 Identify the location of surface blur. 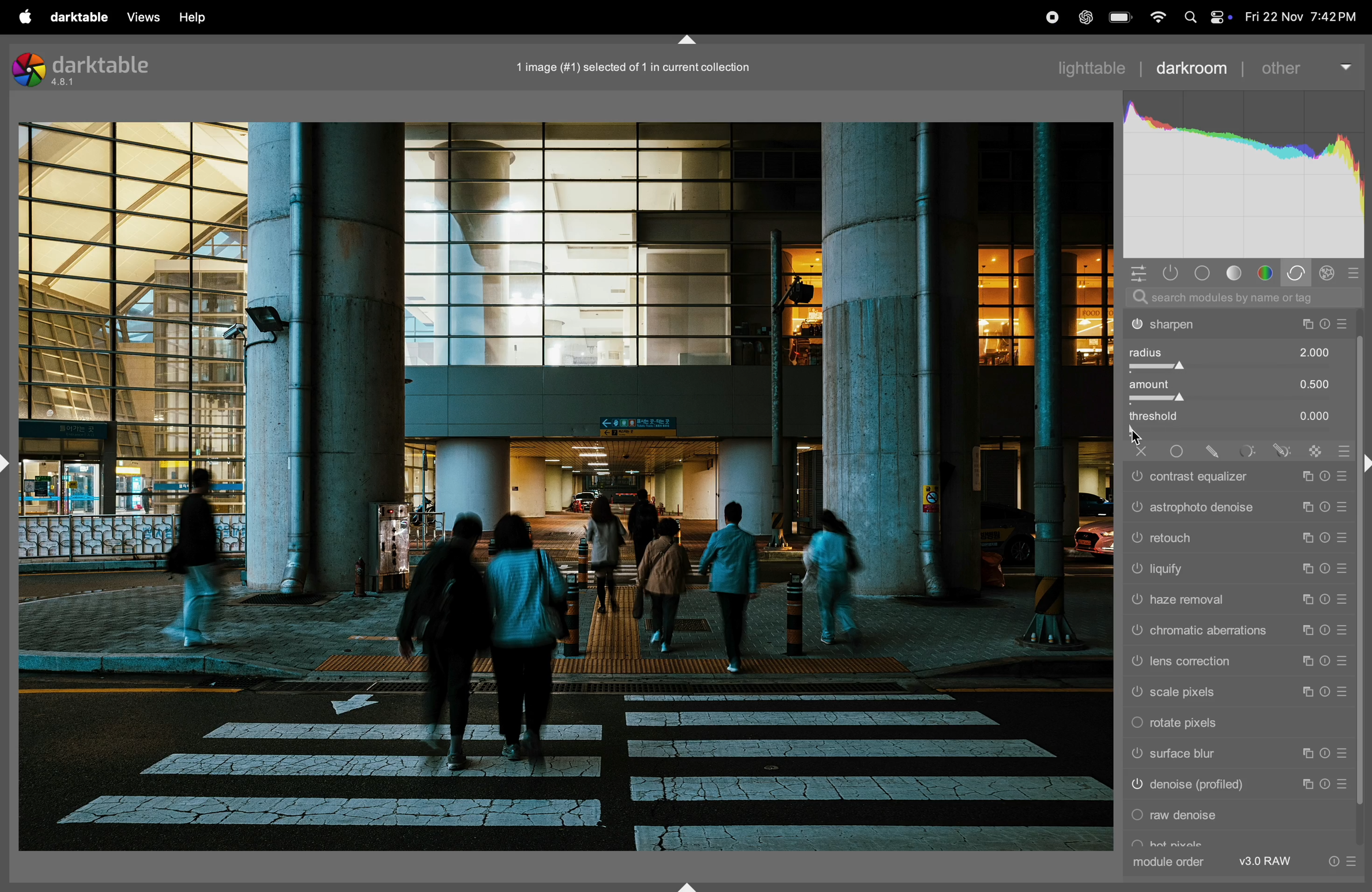
(1232, 756).